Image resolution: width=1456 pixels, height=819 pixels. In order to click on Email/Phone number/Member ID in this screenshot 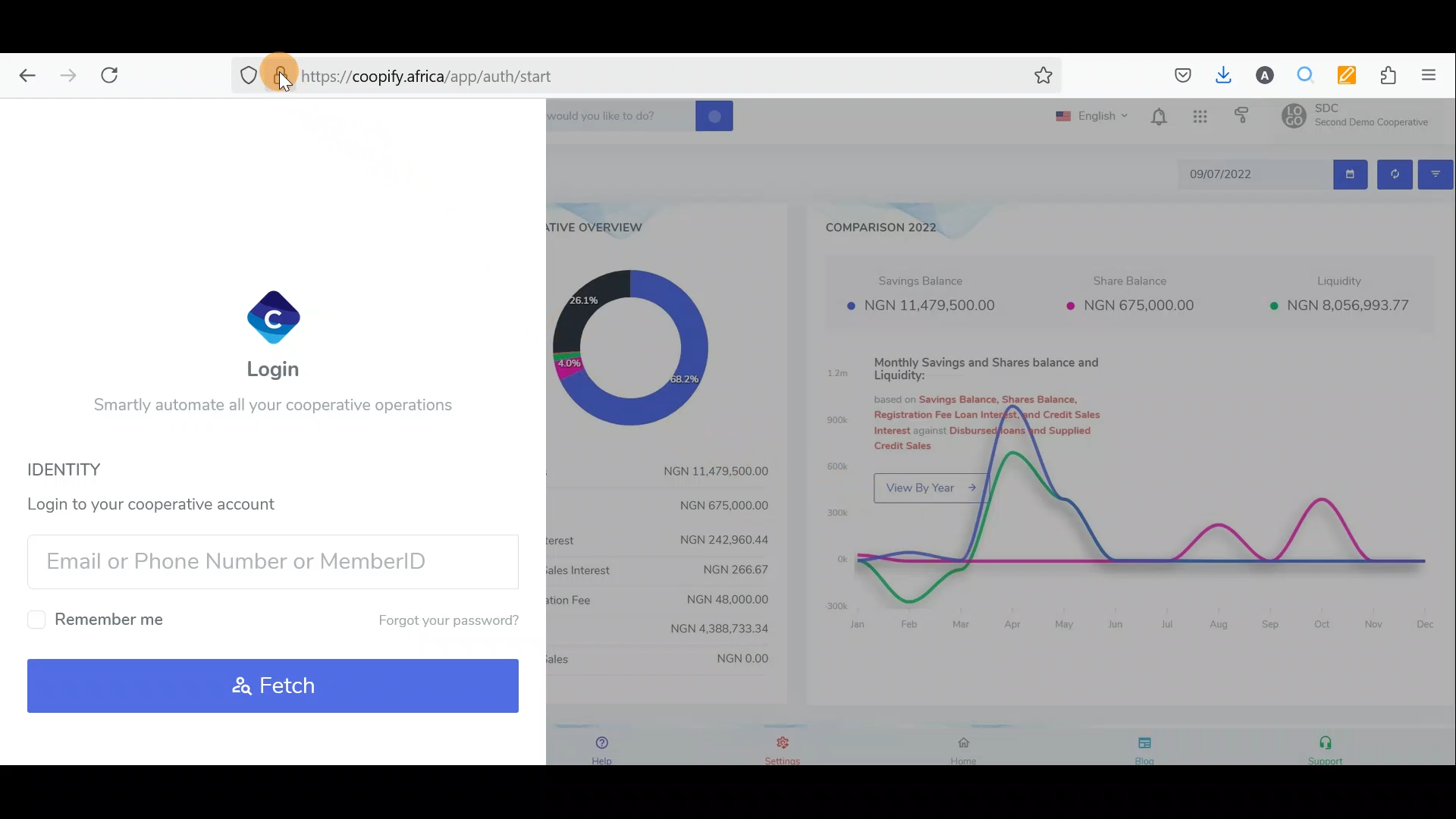, I will do `click(265, 560)`.